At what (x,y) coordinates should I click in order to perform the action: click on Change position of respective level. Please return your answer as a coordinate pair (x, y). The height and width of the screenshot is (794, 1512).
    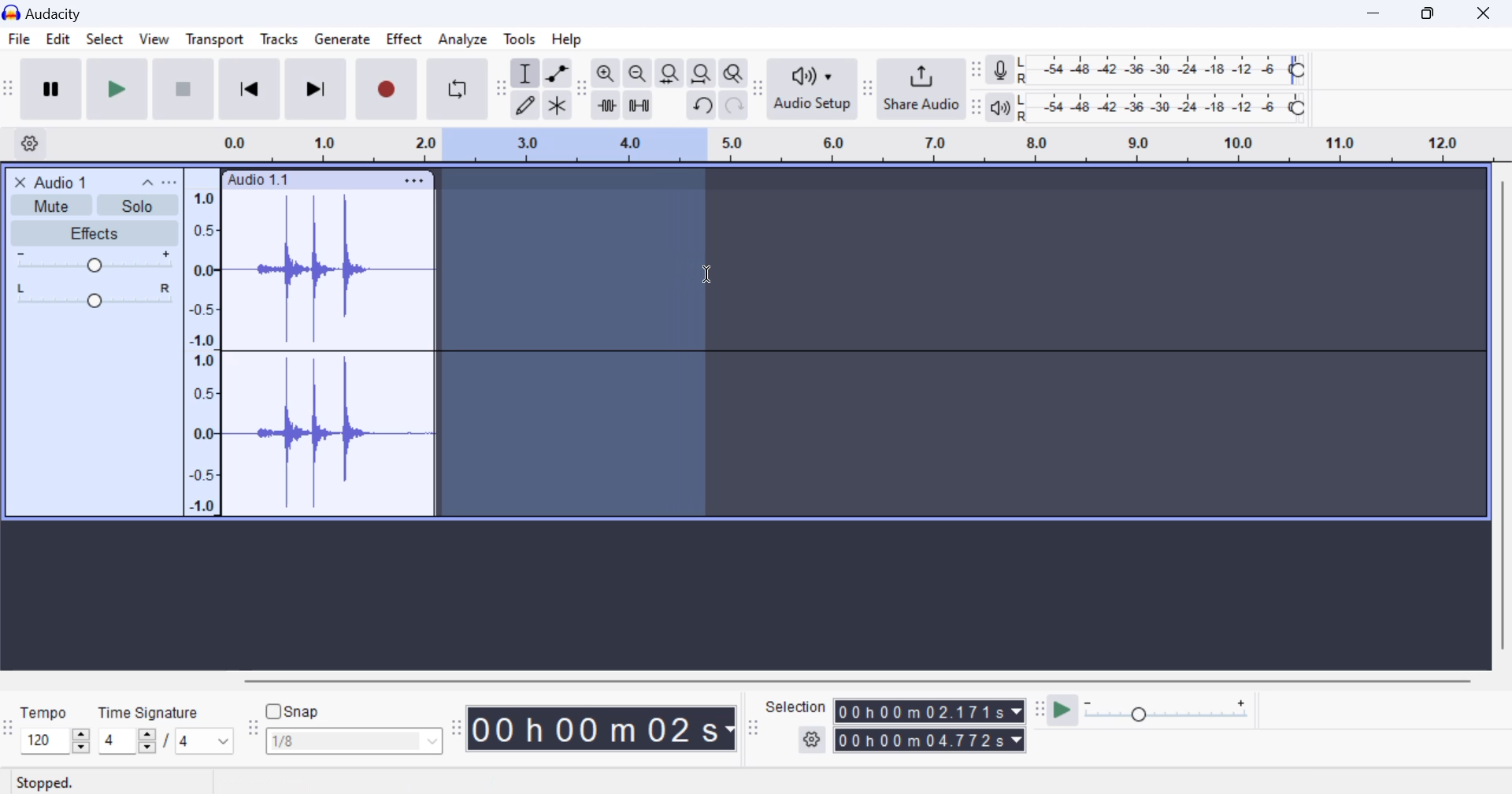
    Looking at the image, I should click on (977, 88).